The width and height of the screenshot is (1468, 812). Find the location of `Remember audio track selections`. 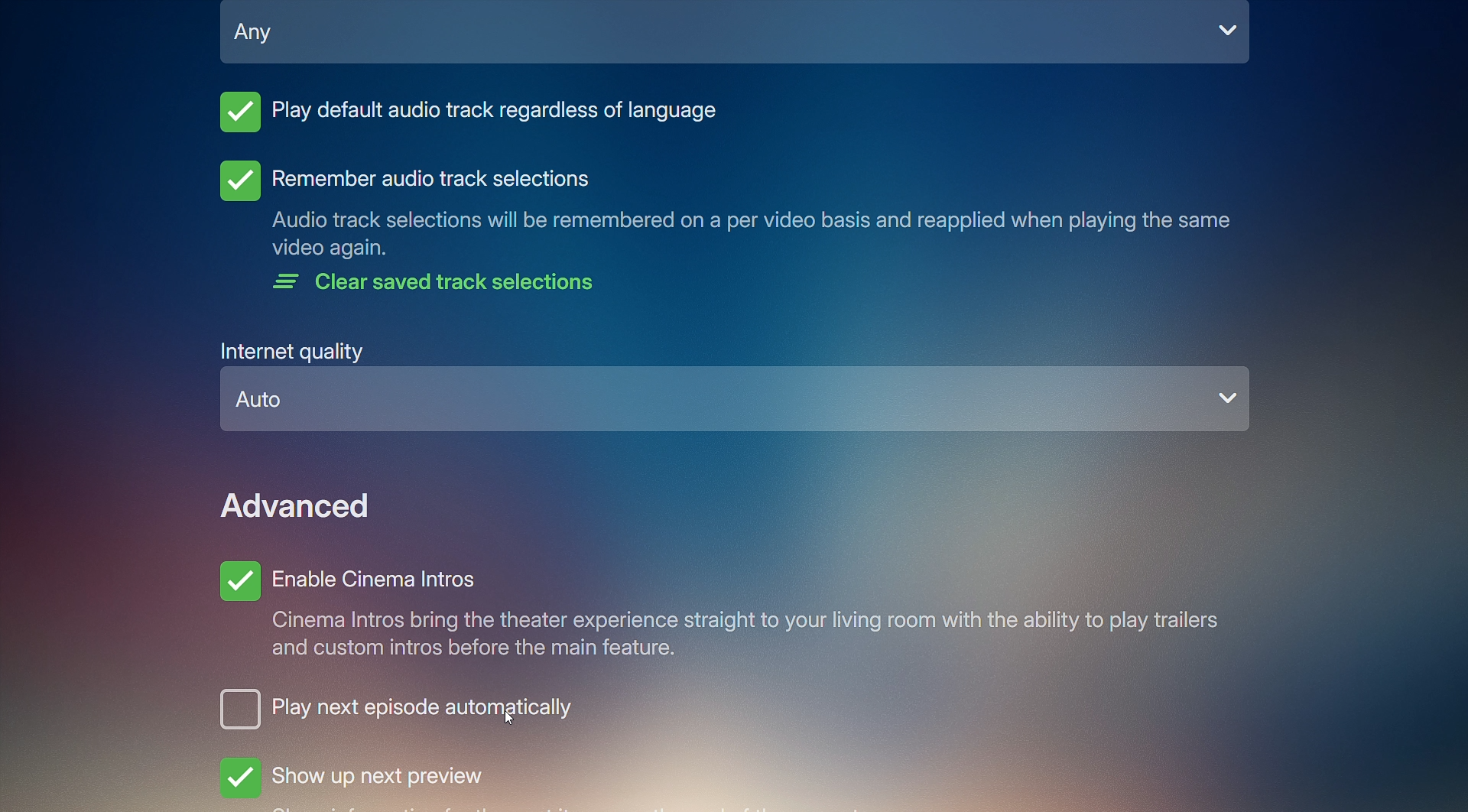

Remember audio track selections is located at coordinates (403, 180).